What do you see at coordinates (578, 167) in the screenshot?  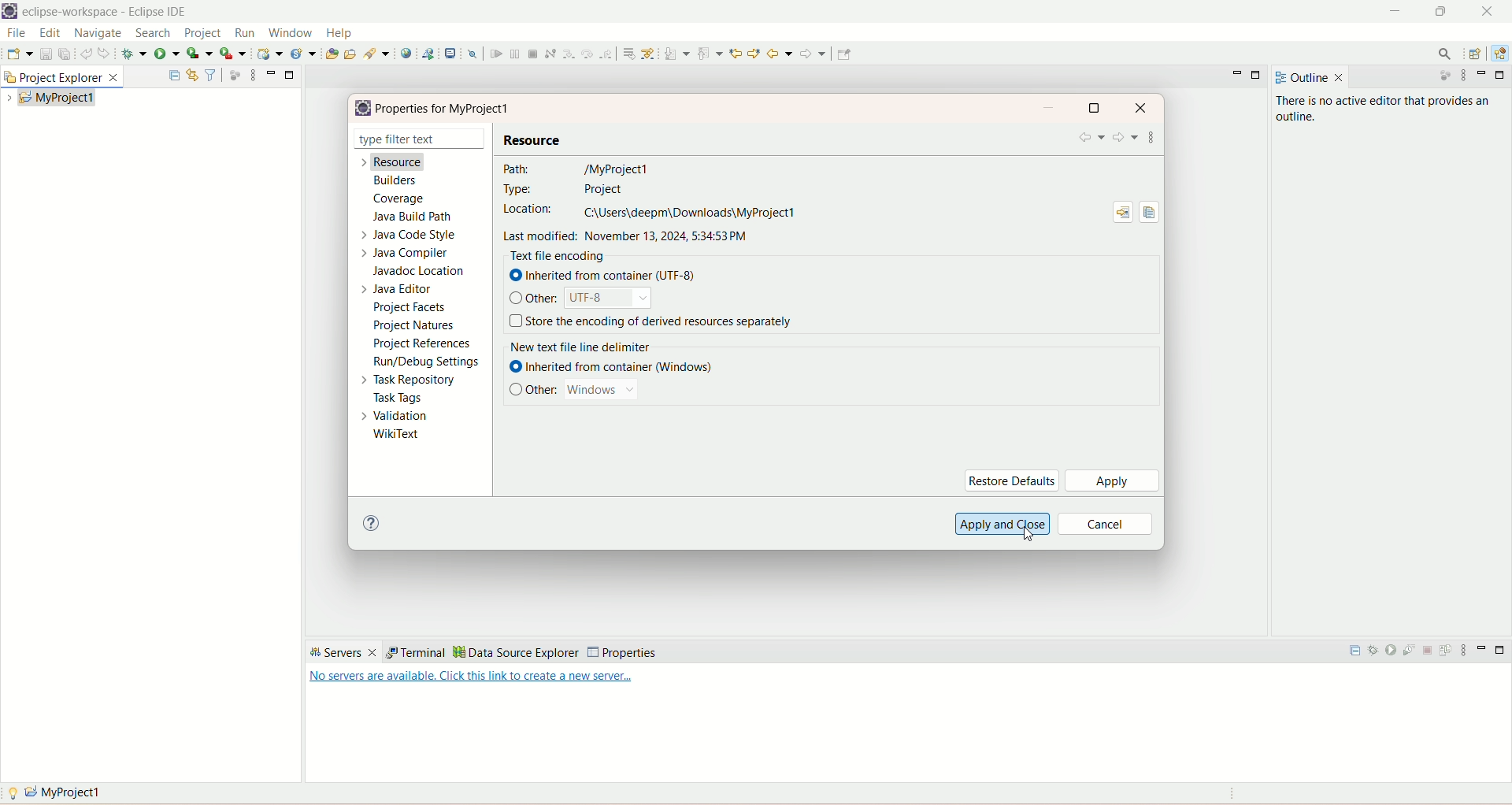 I see `path` at bounding box center [578, 167].